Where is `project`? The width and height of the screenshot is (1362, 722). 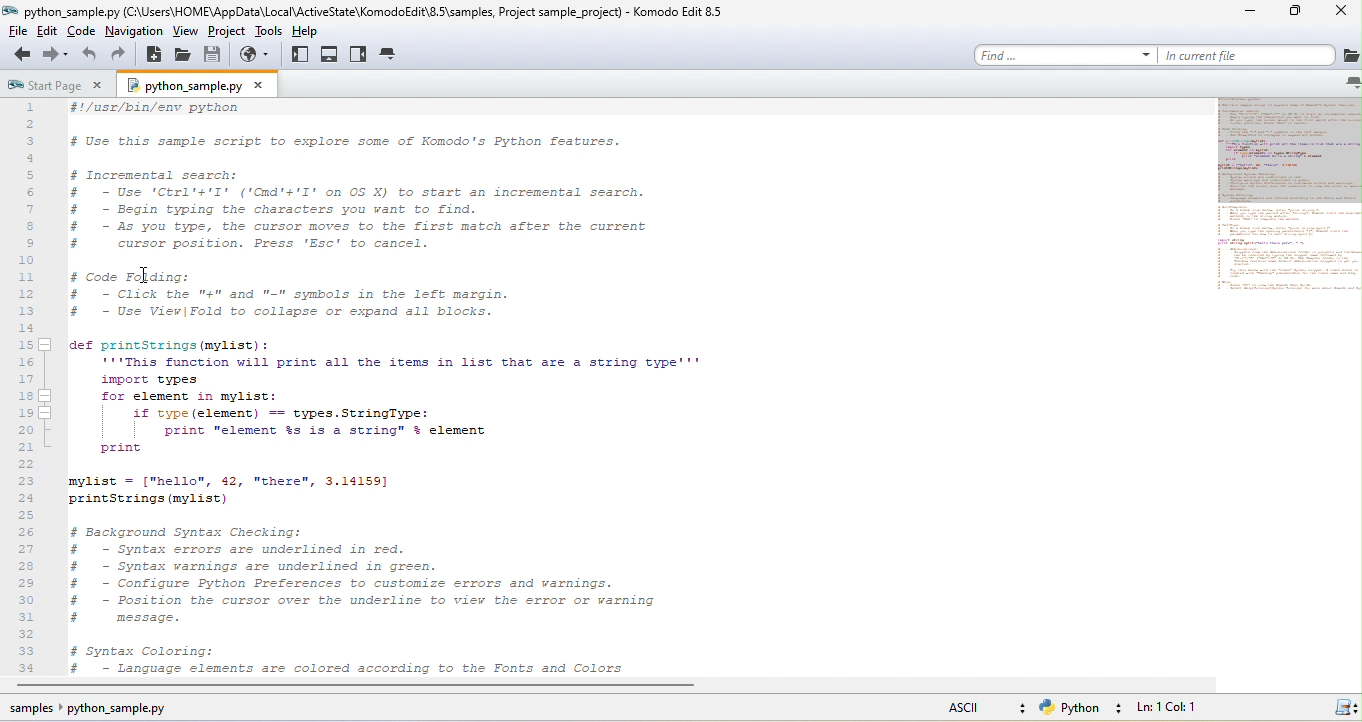
project is located at coordinates (234, 35).